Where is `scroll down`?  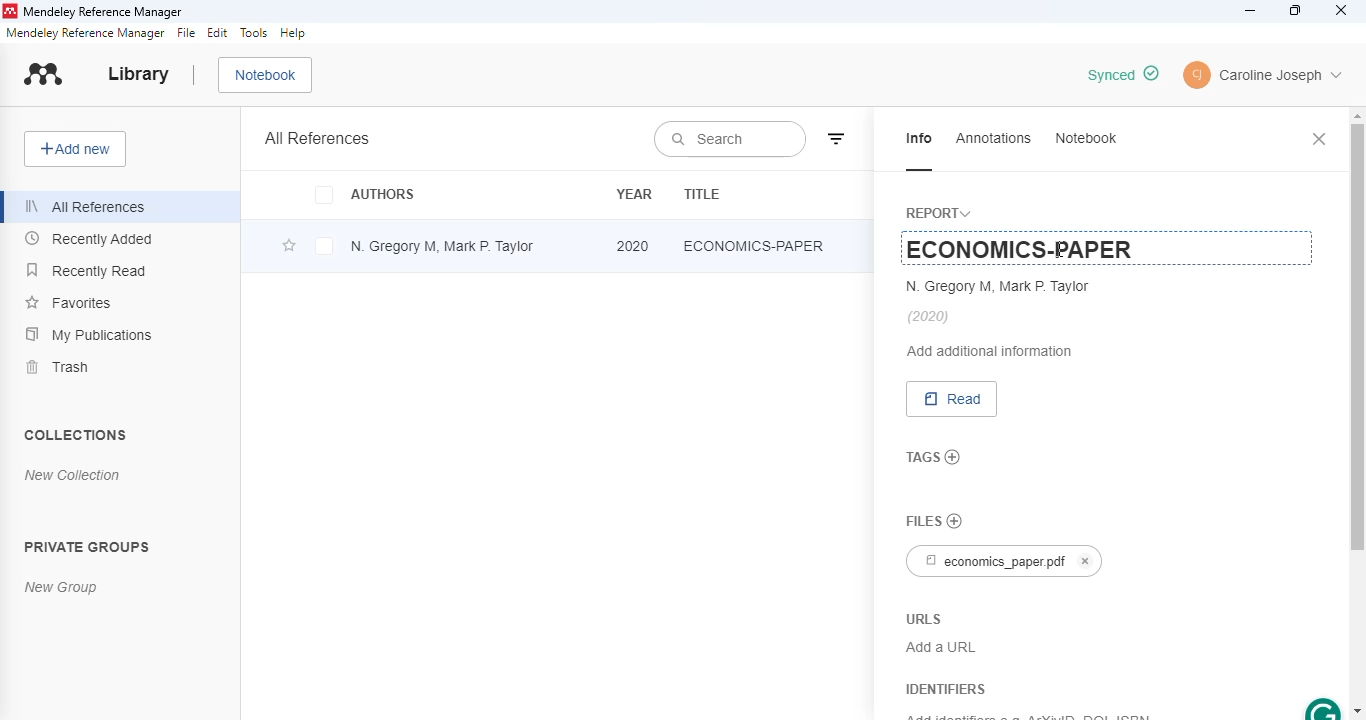 scroll down is located at coordinates (1356, 711).